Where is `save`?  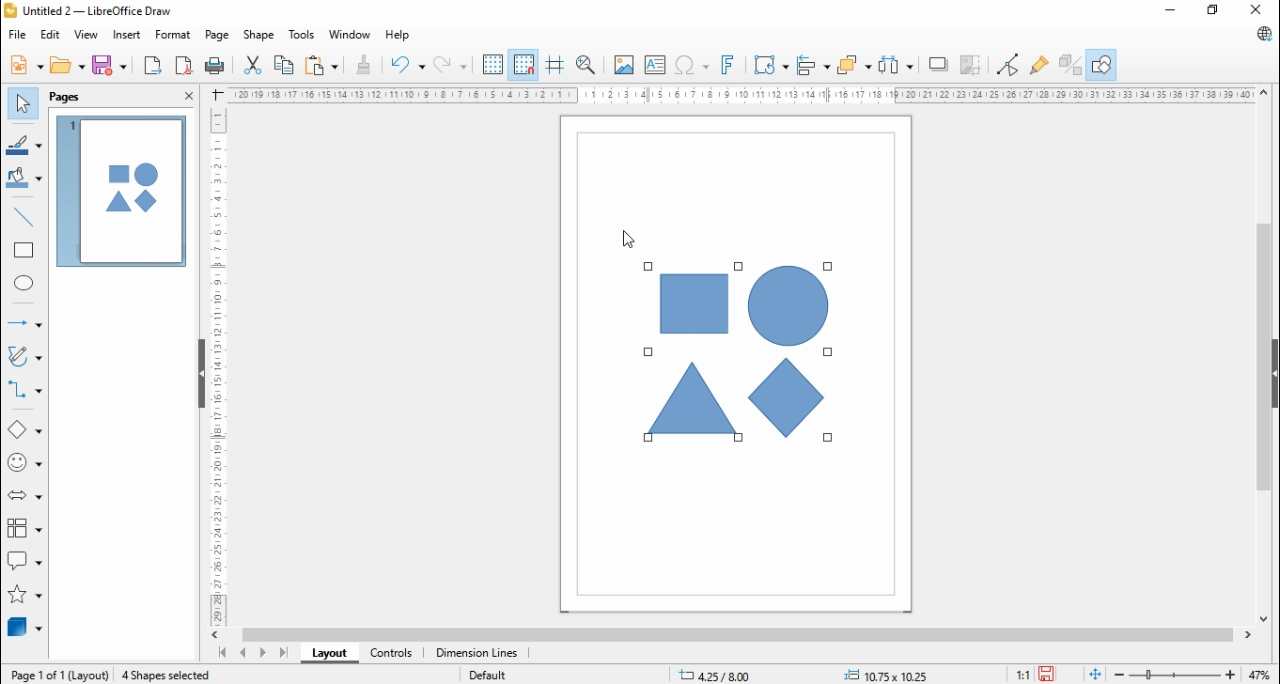 save is located at coordinates (1046, 674).